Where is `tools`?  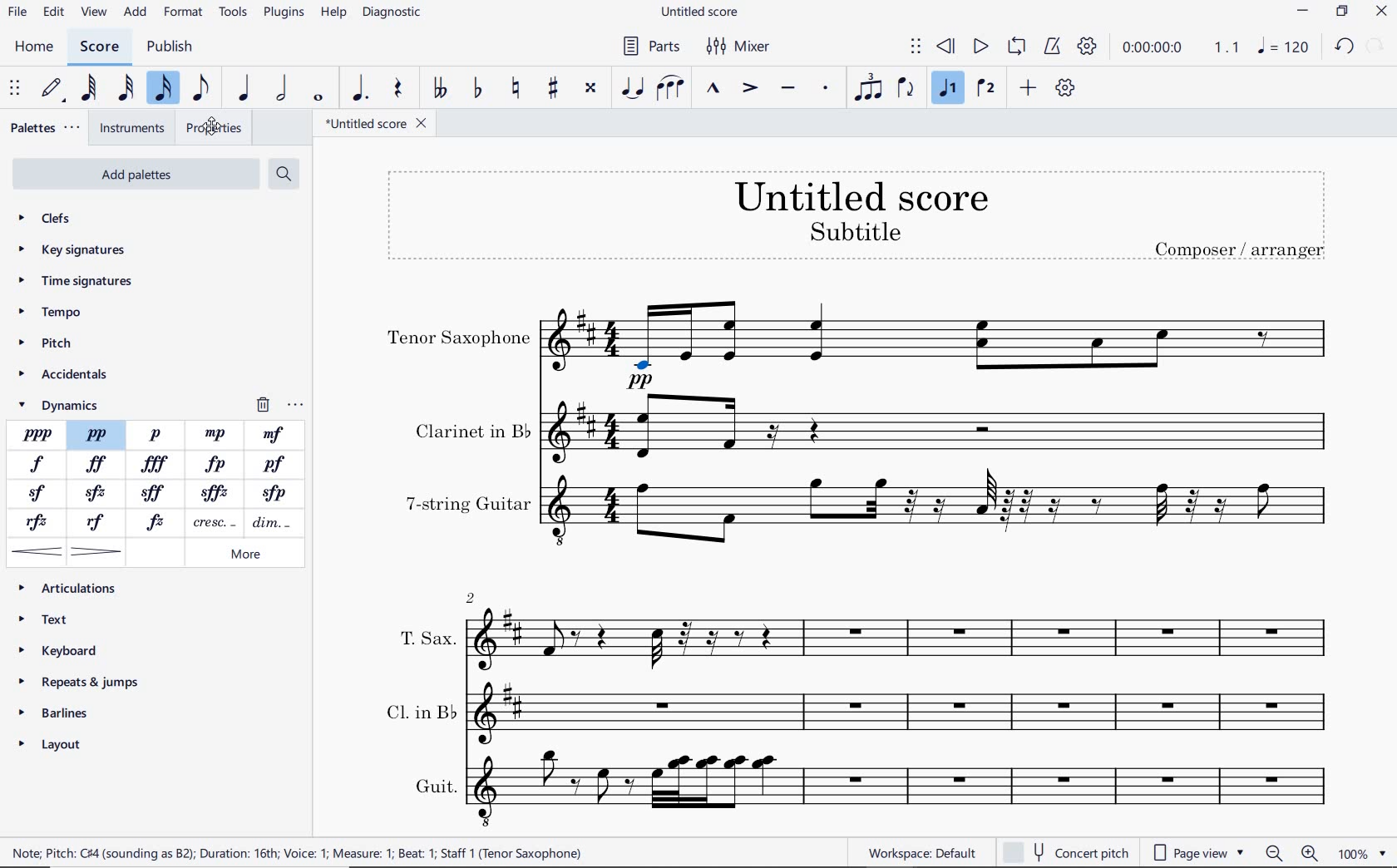 tools is located at coordinates (231, 13).